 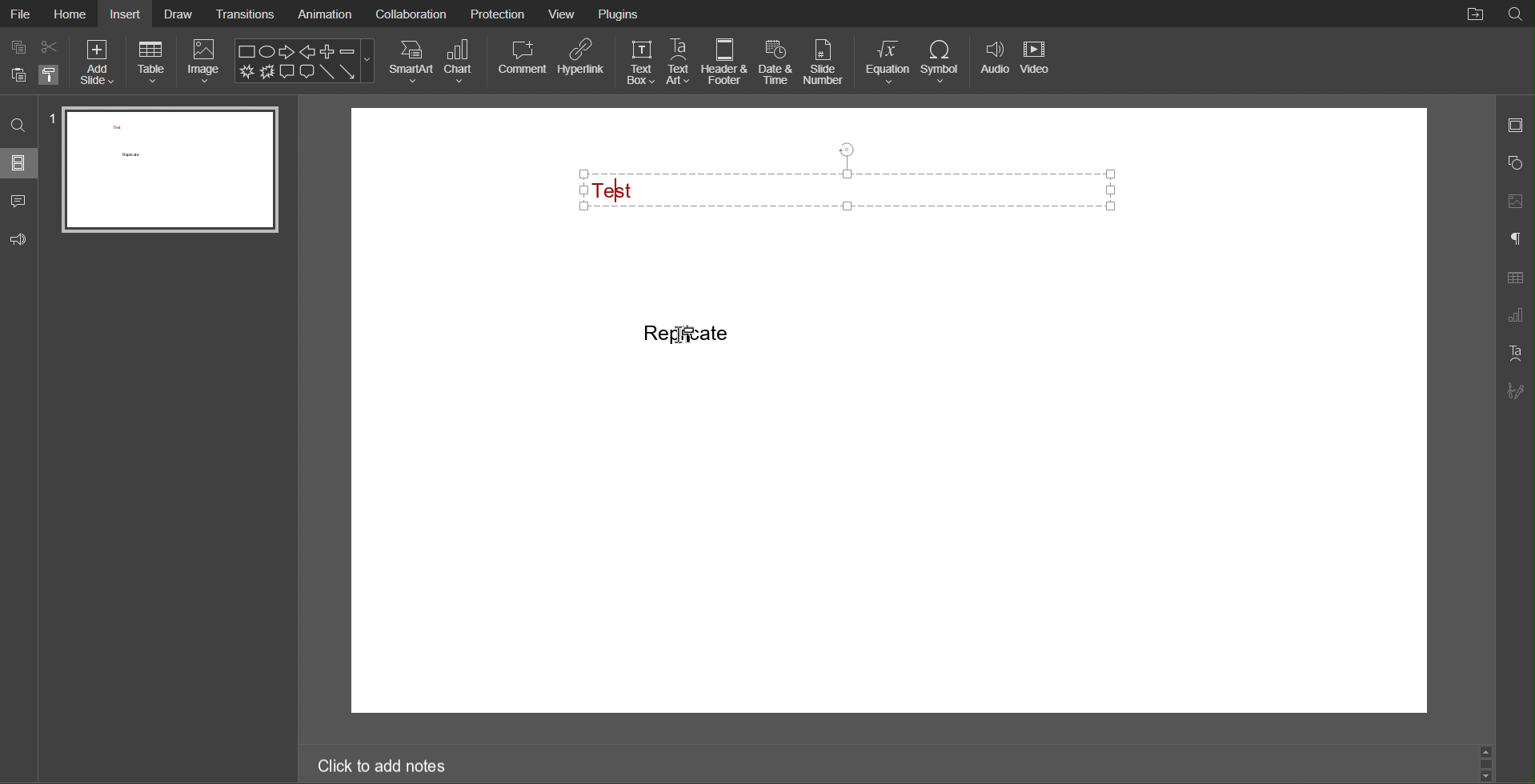 I want to click on Image, so click(x=206, y=62).